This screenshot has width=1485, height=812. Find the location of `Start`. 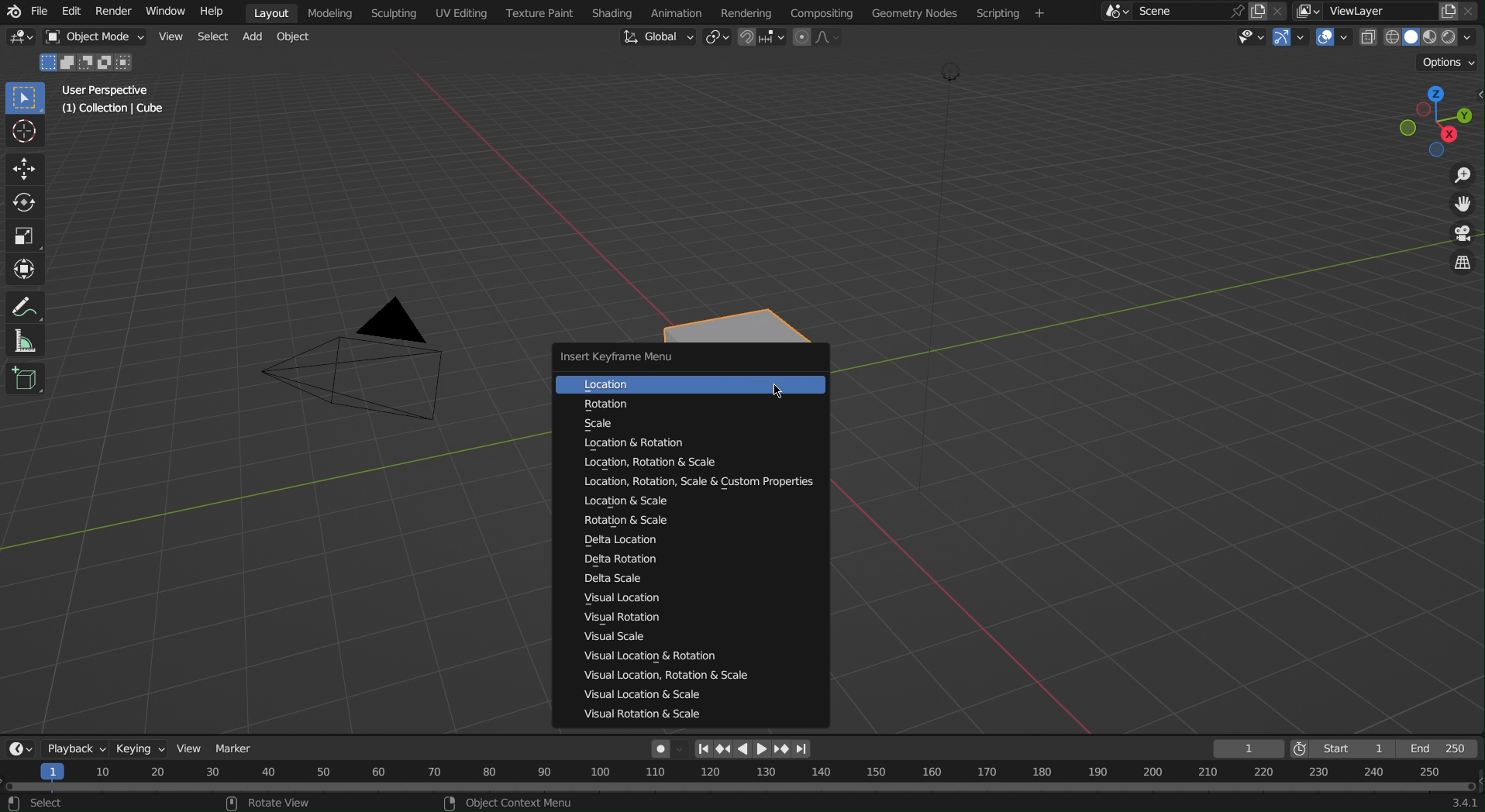

Start is located at coordinates (1346, 748).